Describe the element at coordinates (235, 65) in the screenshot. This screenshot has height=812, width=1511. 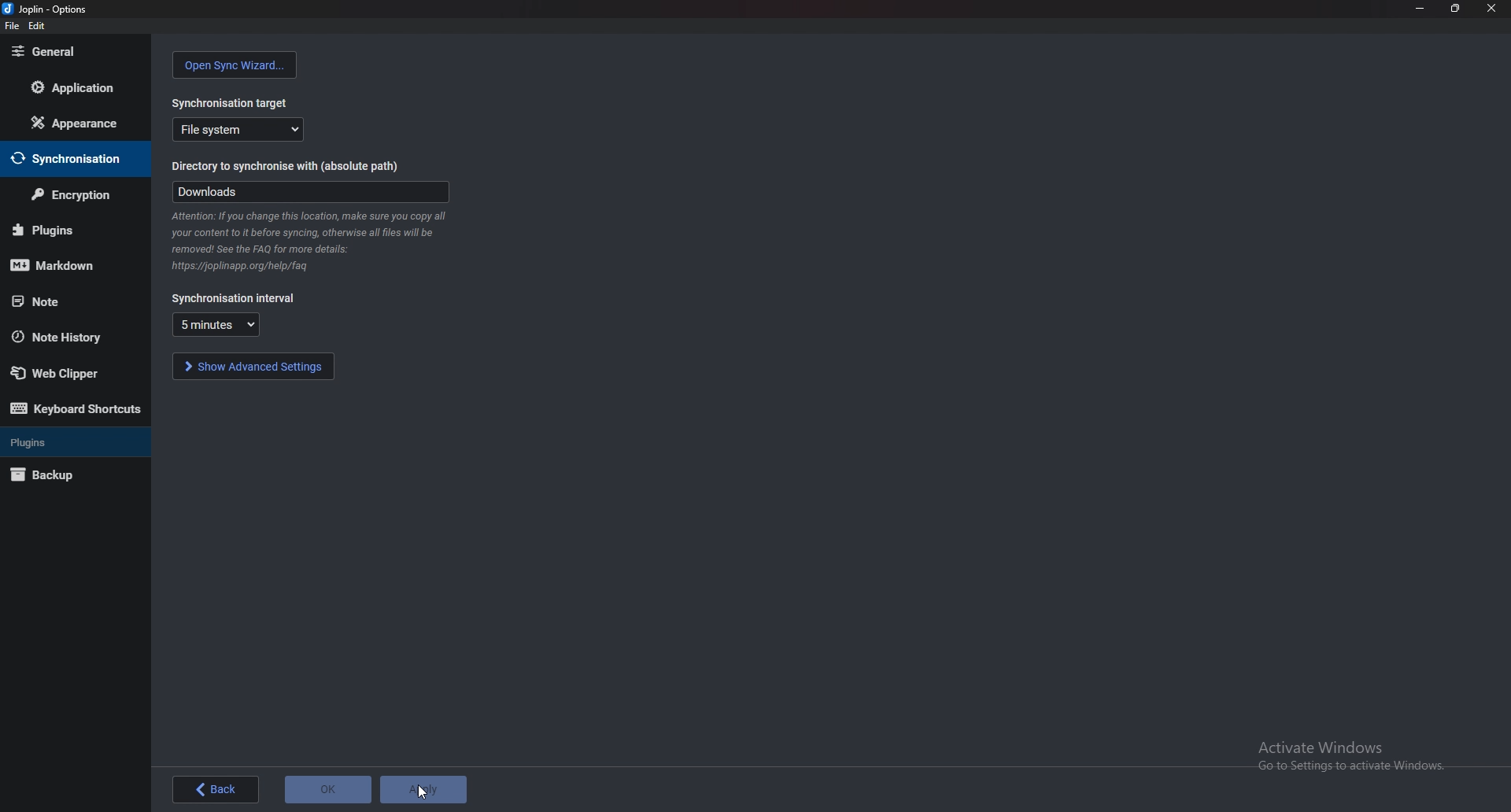
I see `Open sync wizard` at that location.